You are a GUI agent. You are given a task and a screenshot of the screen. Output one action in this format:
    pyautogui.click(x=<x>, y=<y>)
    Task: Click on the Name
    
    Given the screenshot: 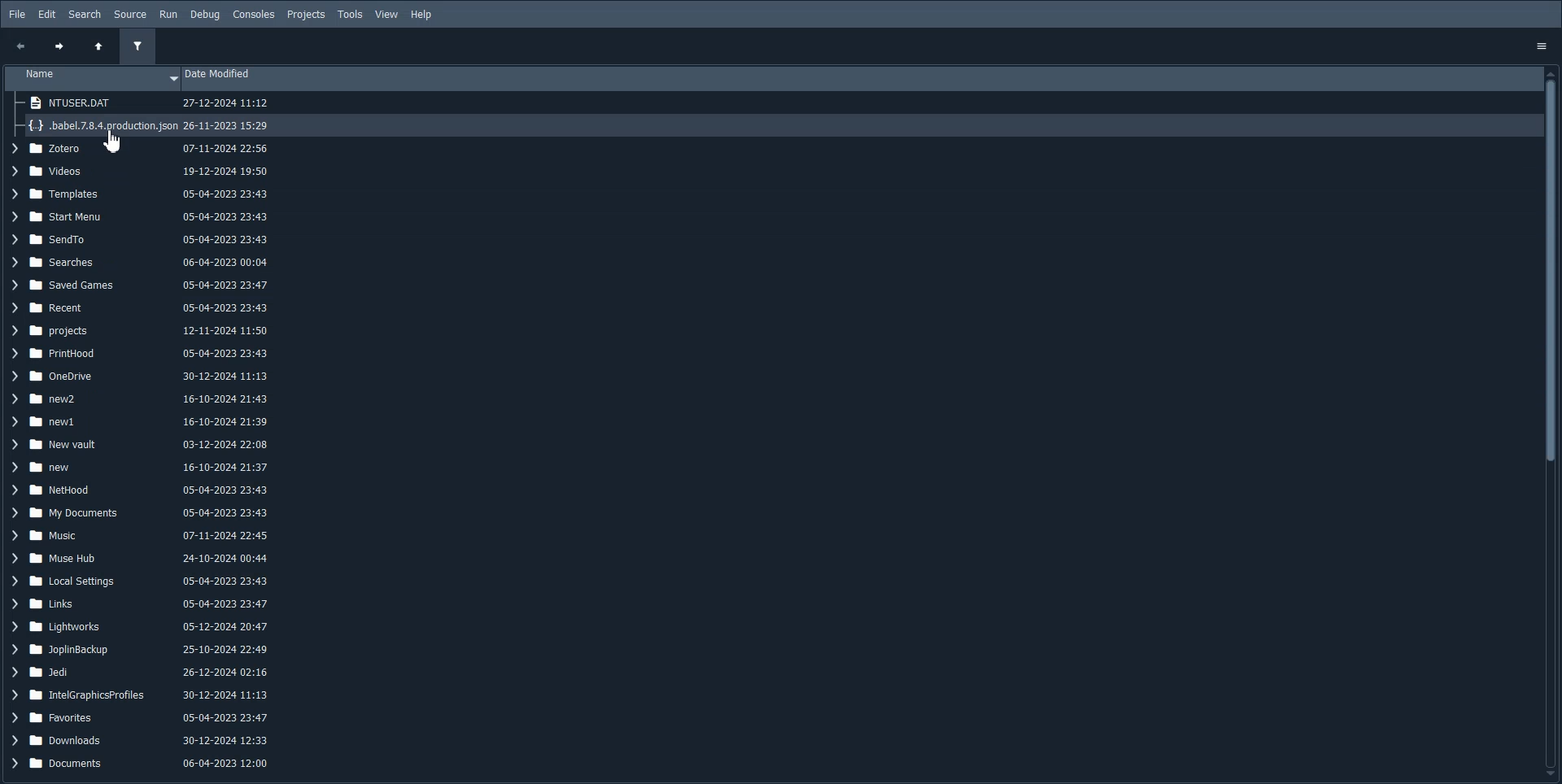 What is the action you would take?
    pyautogui.click(x=93, y=78)
    